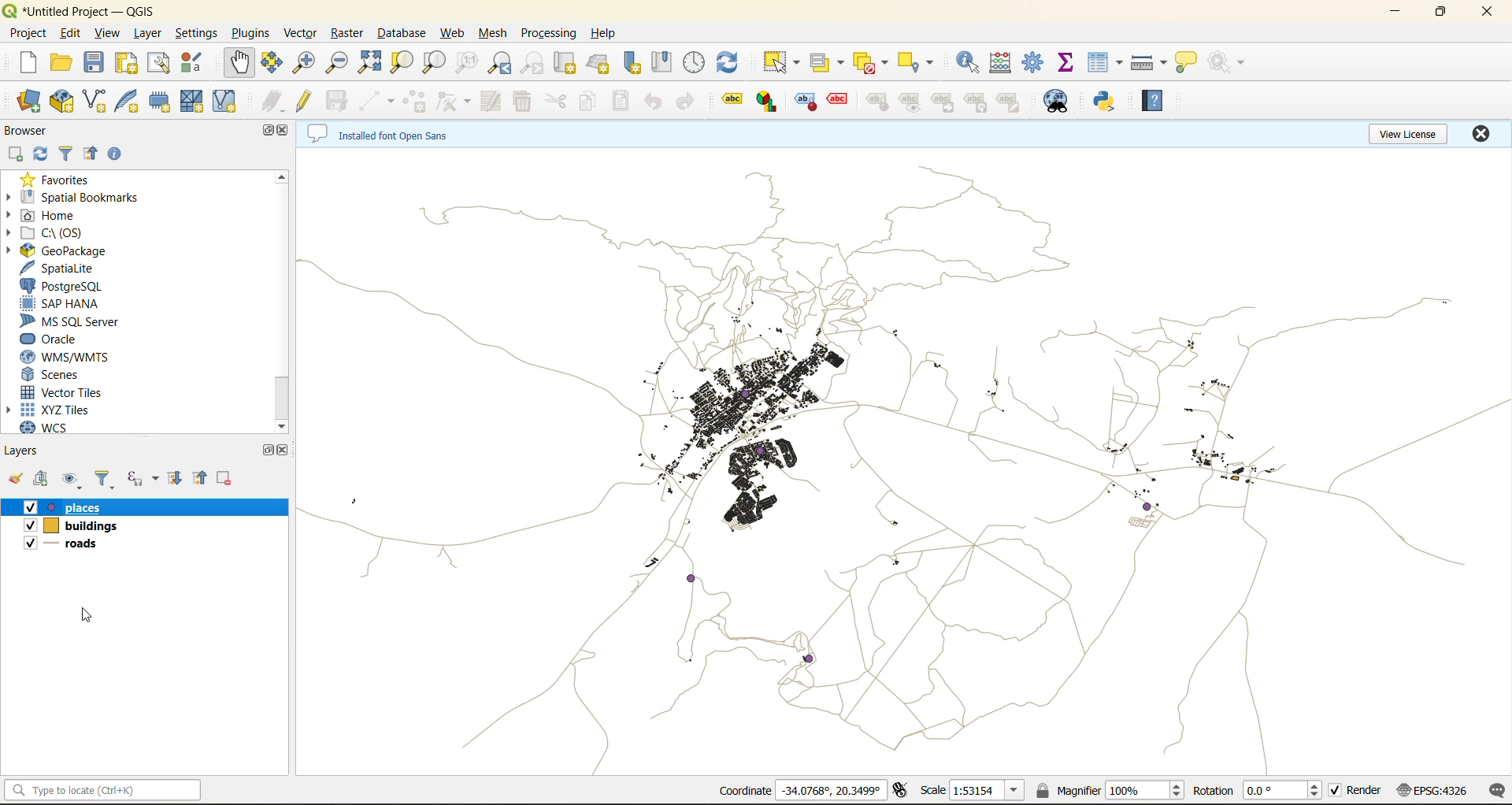  What do you see at coordinates (1156, 100) in the screenshot?
I see `help` at bounding box center [1156, 100].